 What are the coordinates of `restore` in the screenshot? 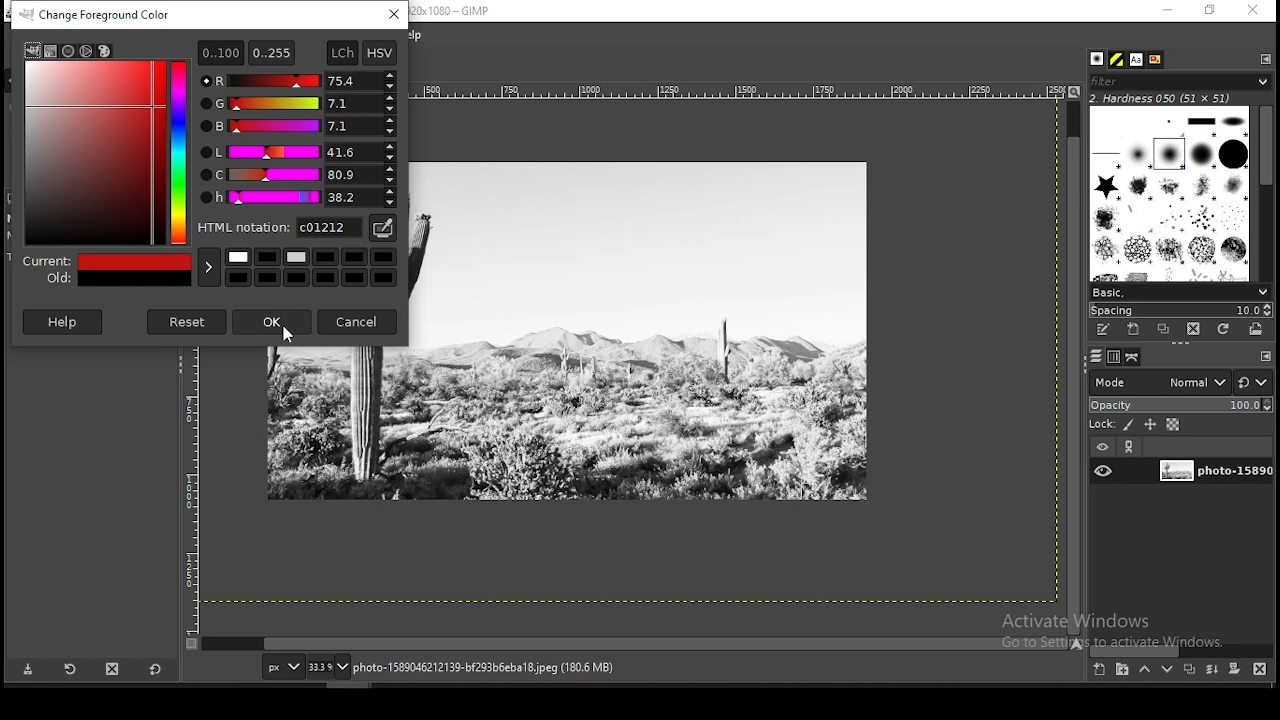 It's located at (1211, 10).